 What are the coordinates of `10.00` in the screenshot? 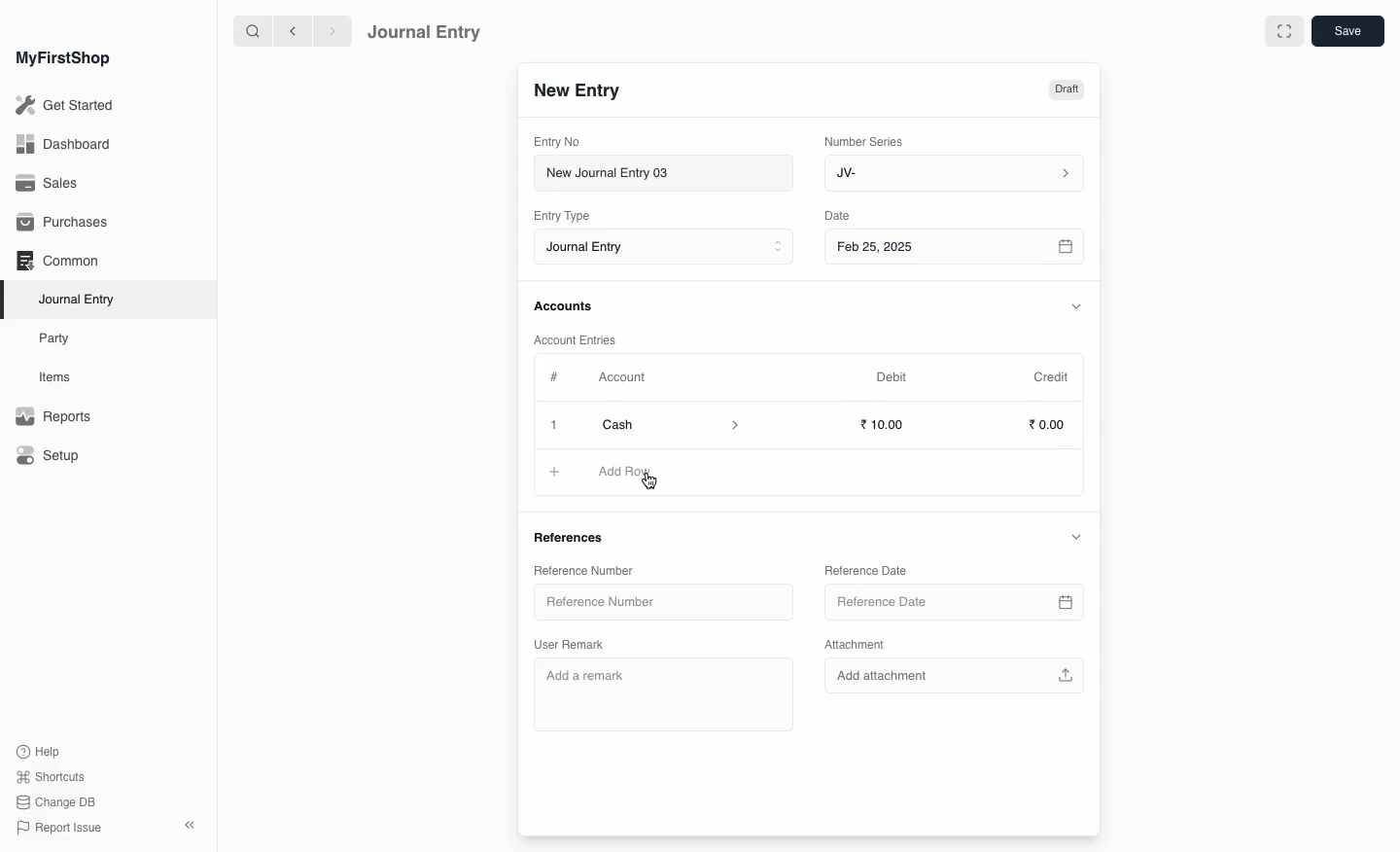 It's located at (888, 424).